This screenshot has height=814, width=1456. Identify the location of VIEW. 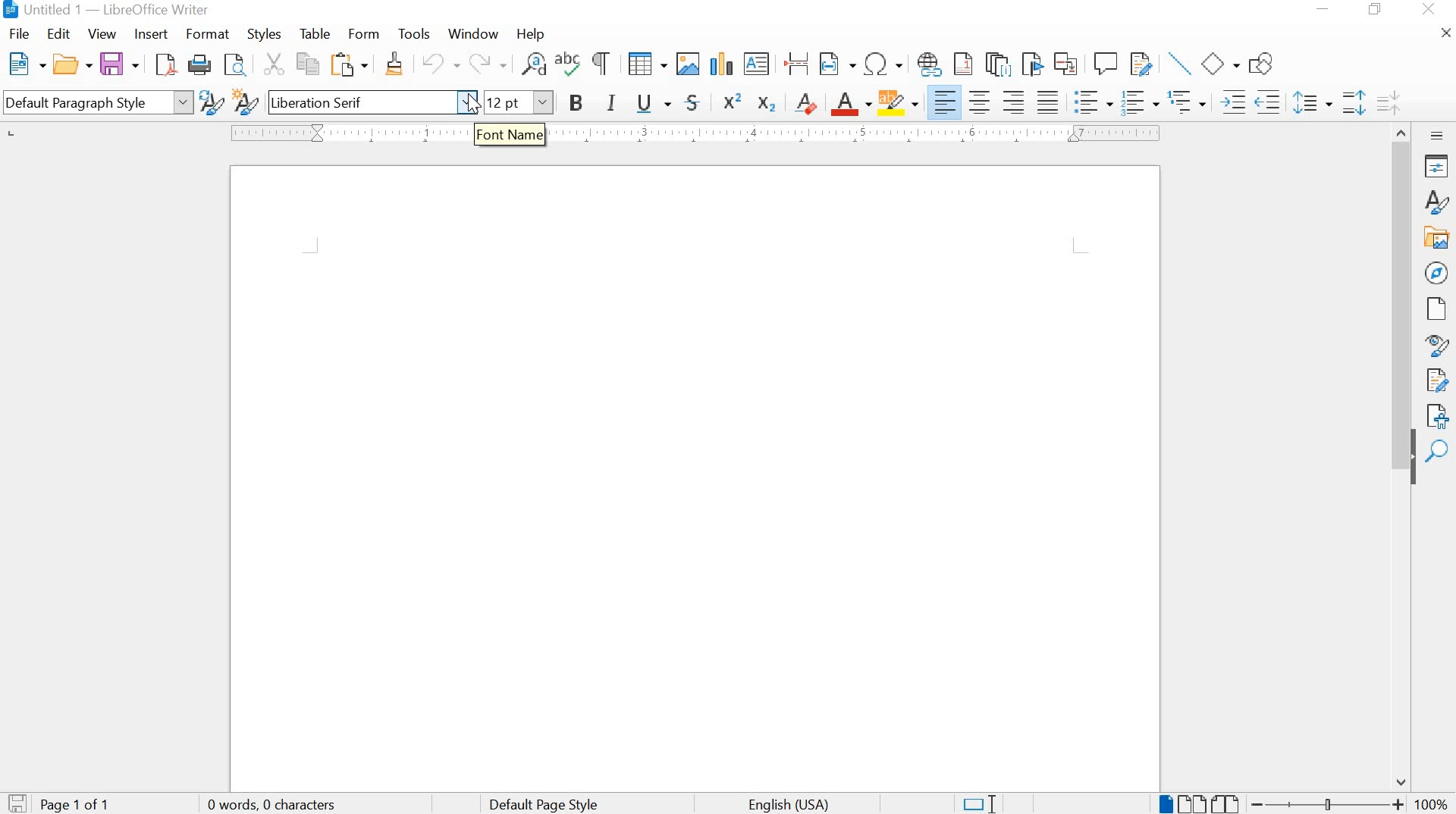
(103, 35).